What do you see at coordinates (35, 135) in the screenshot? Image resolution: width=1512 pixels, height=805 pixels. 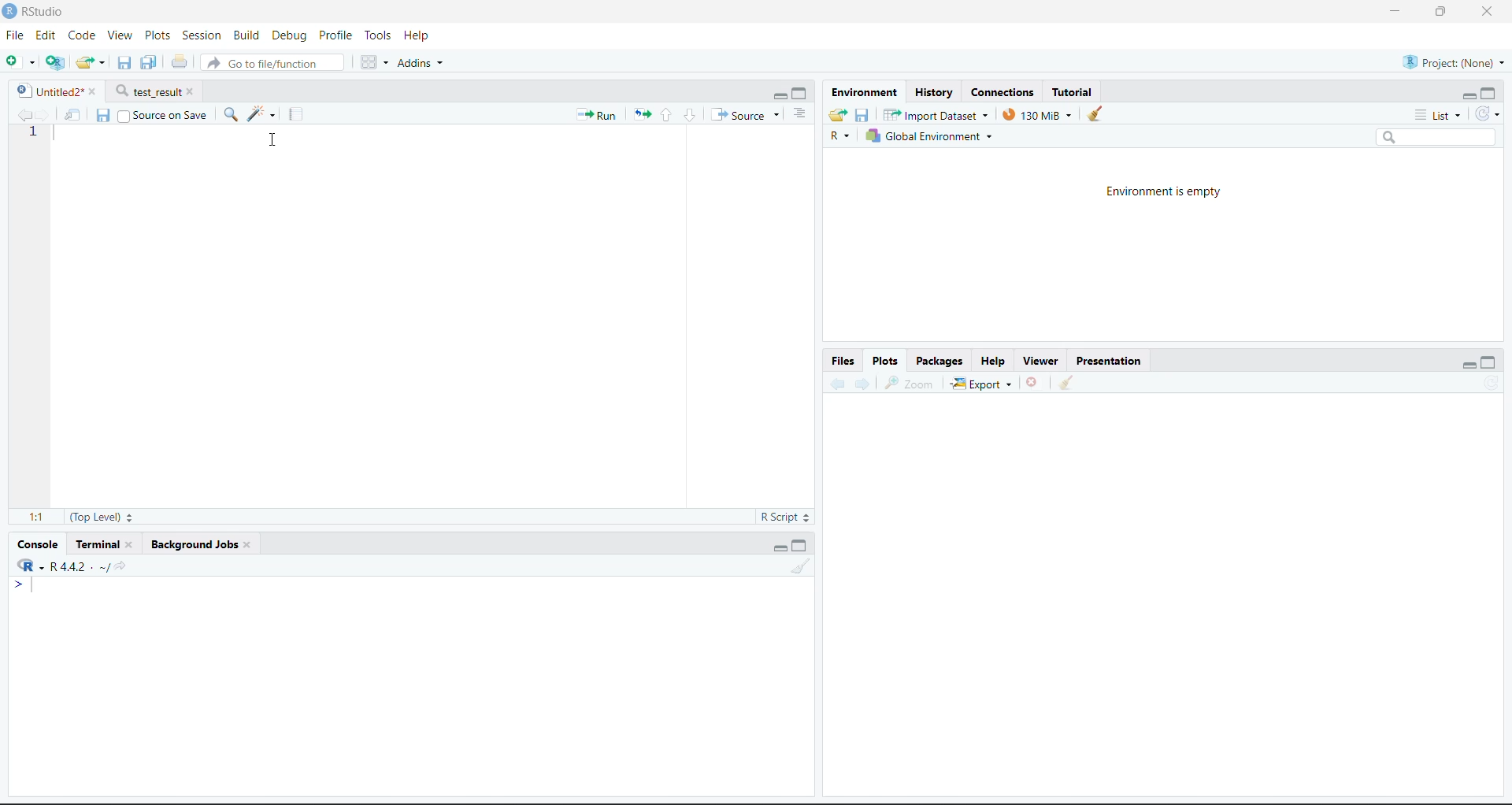 I see `1` at bounding box center [35, 135].